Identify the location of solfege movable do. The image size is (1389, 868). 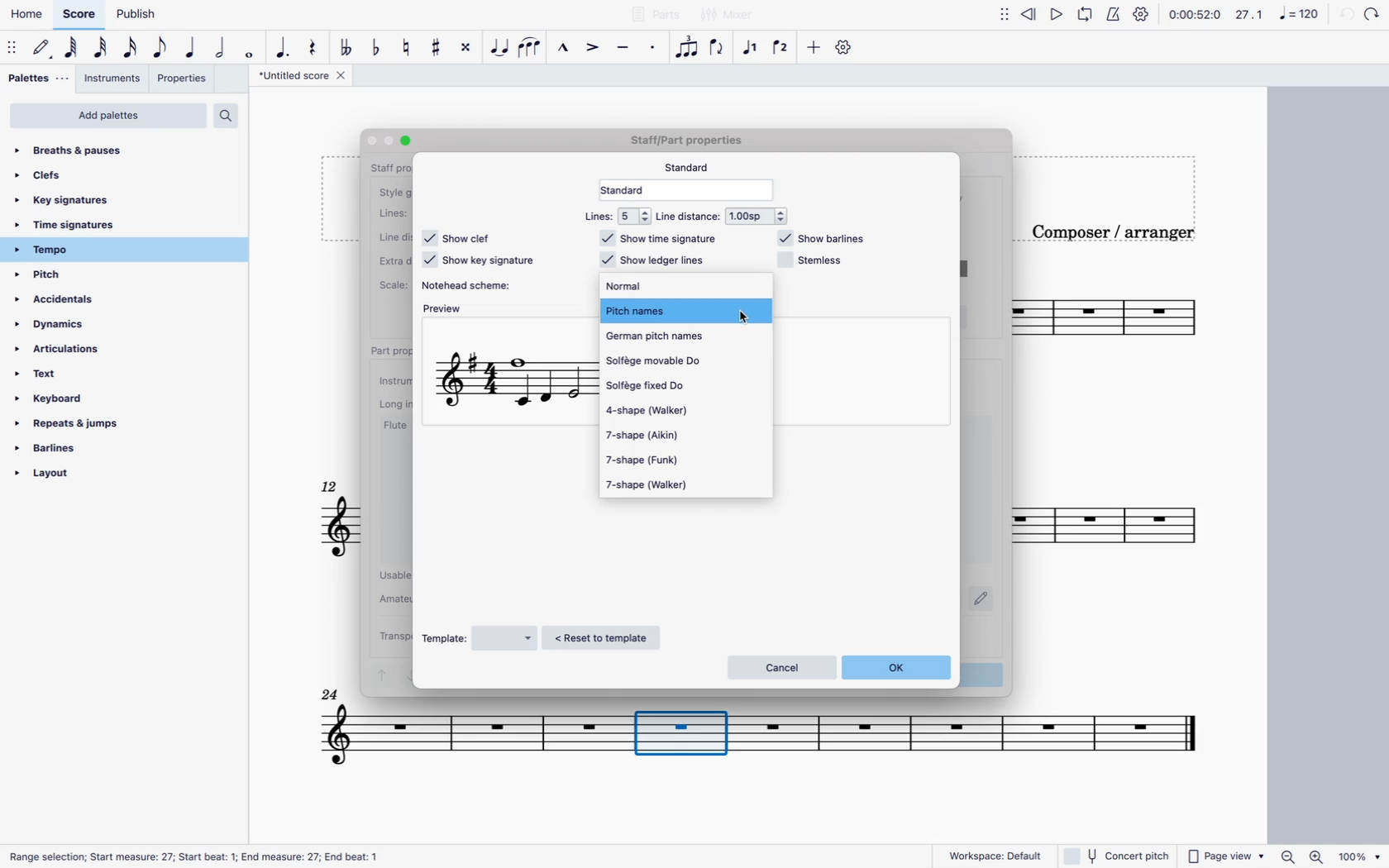
(675, 362).